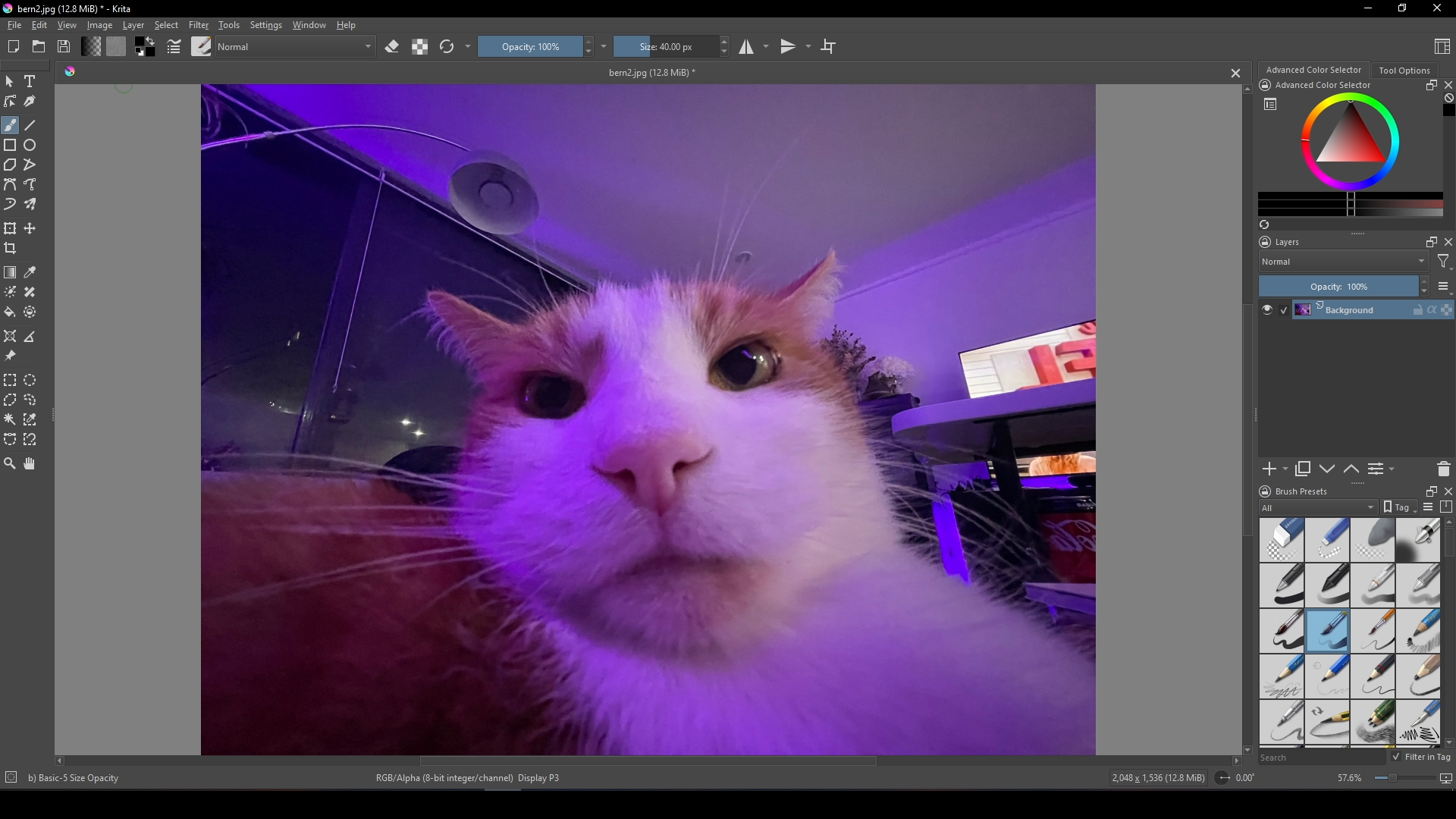 Image resolution: width=1456 pixels, height=819 pixels. Describe the element at coordinates (30, 228) in the screenshot. I see `Move a layer` at that location.